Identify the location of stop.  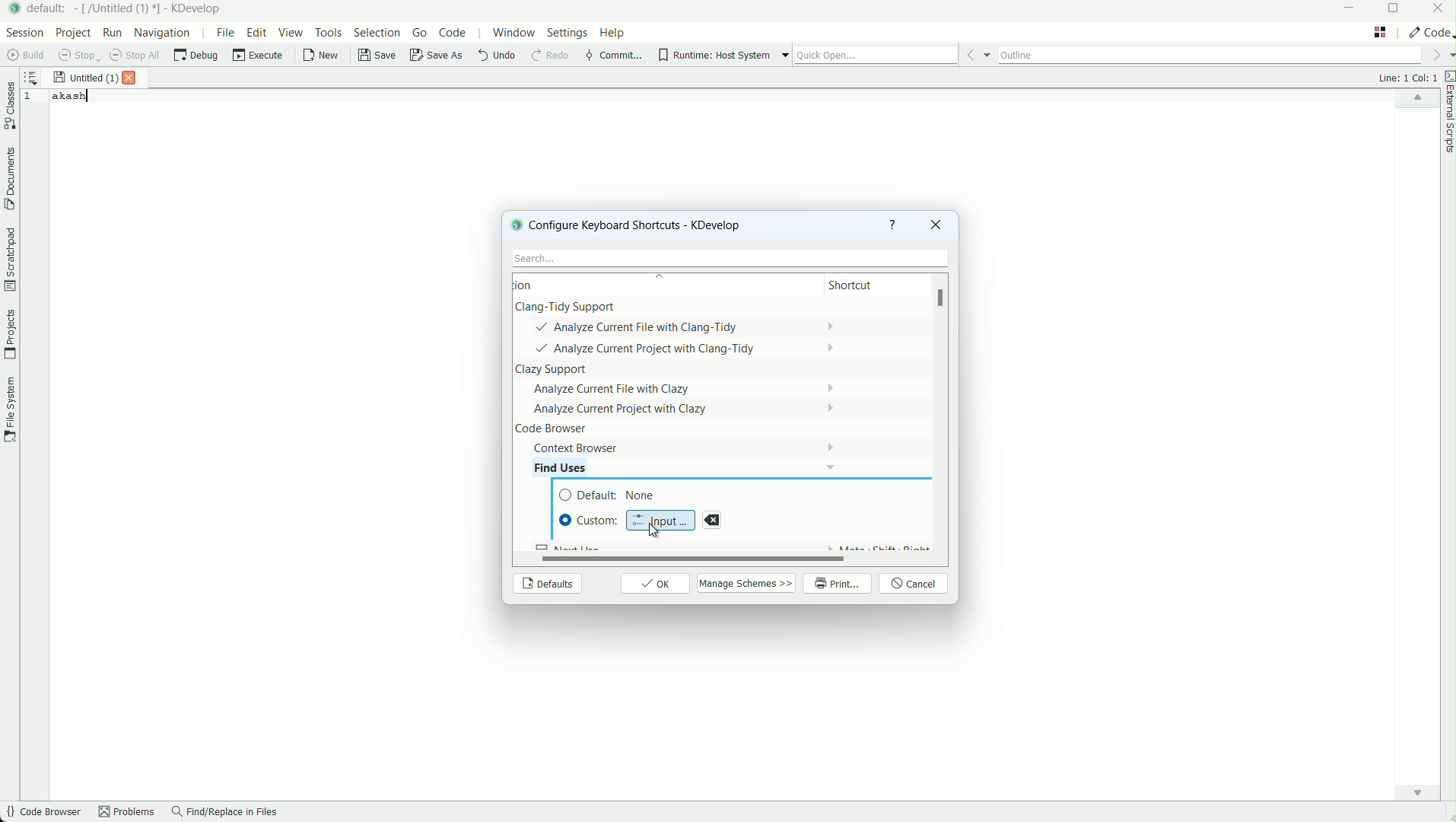
(79, 56).